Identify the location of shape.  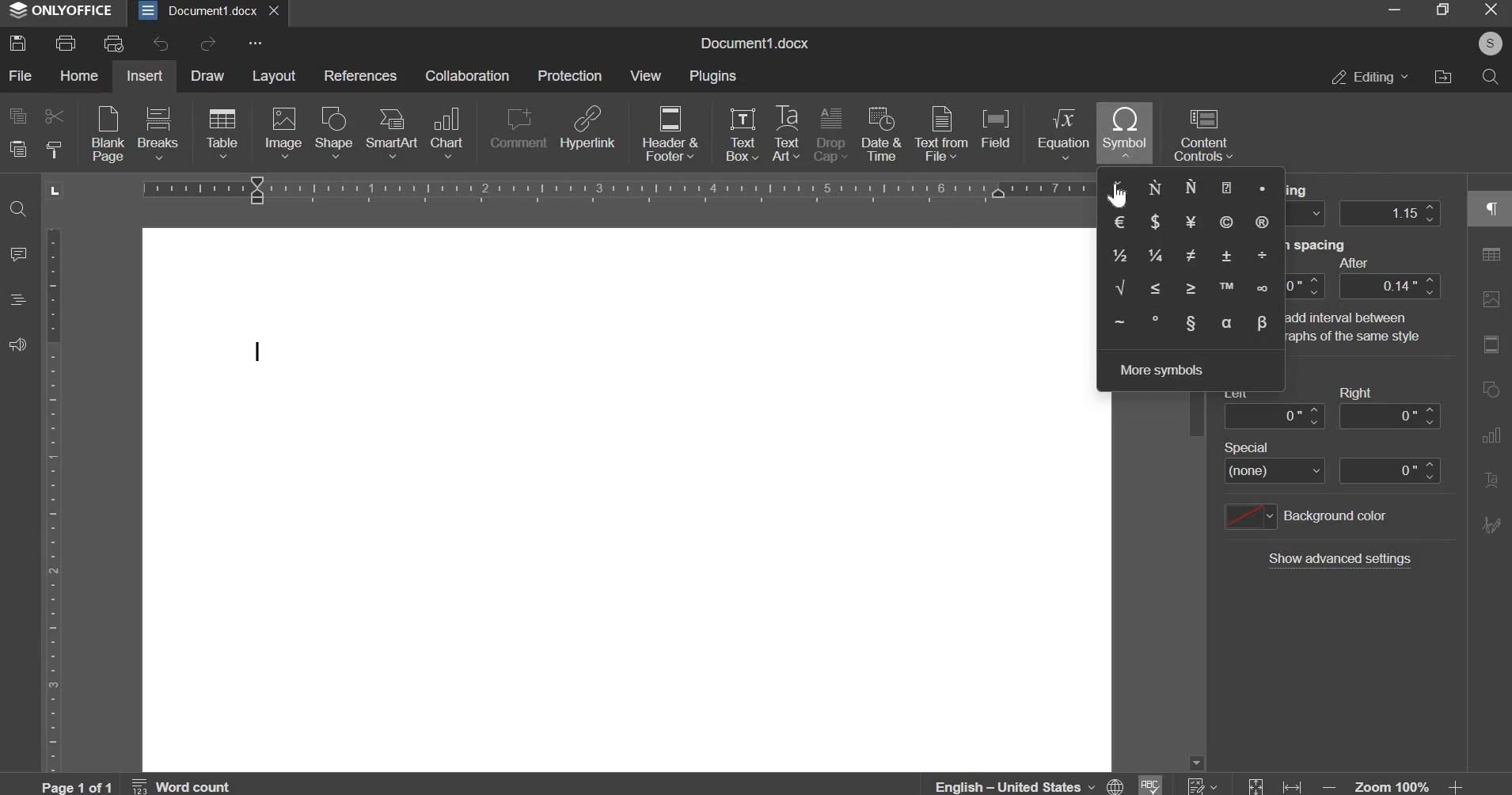
(334, 130).